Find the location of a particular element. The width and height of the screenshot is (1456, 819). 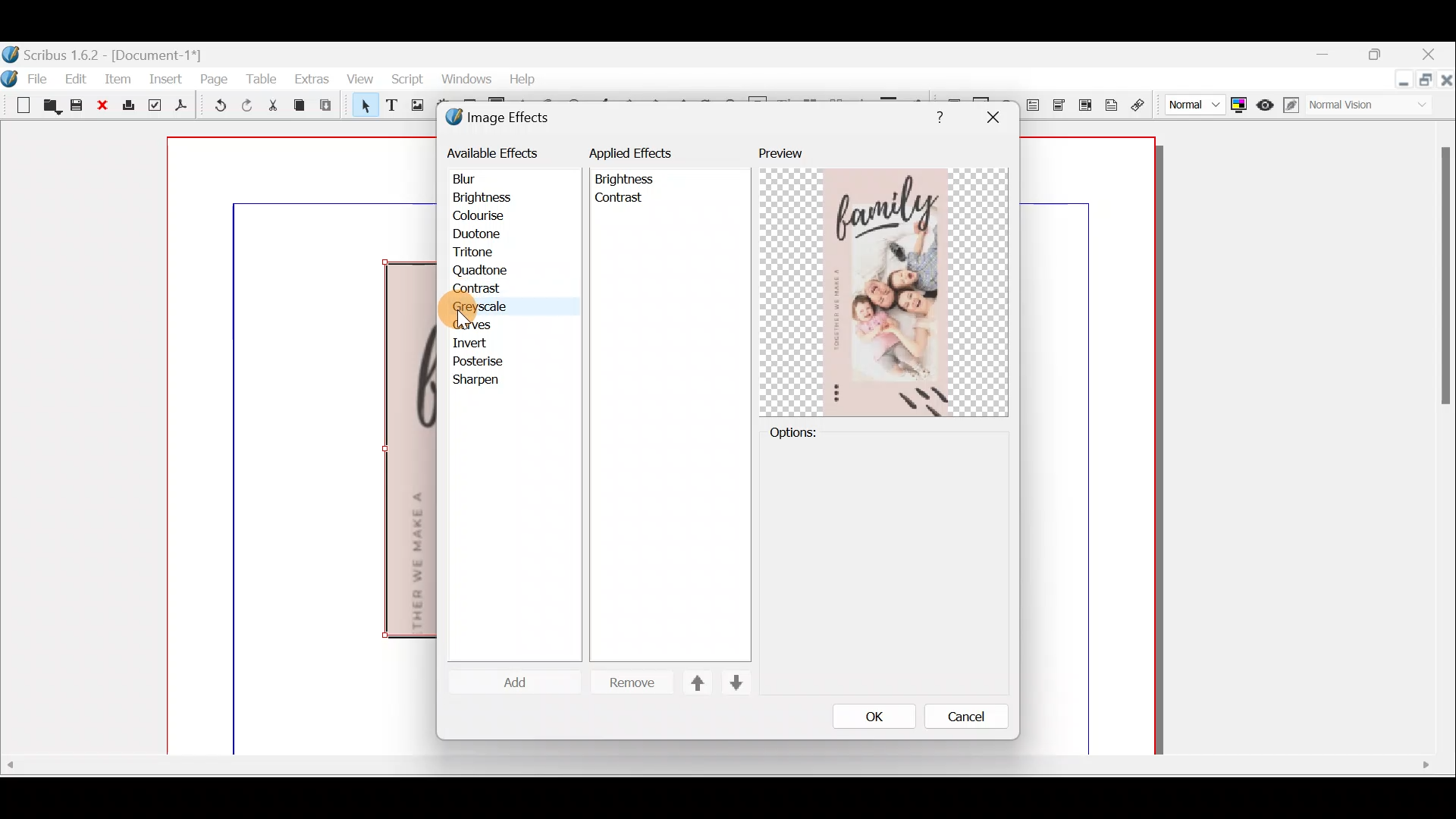

windows is located at coordinates (469, 80).